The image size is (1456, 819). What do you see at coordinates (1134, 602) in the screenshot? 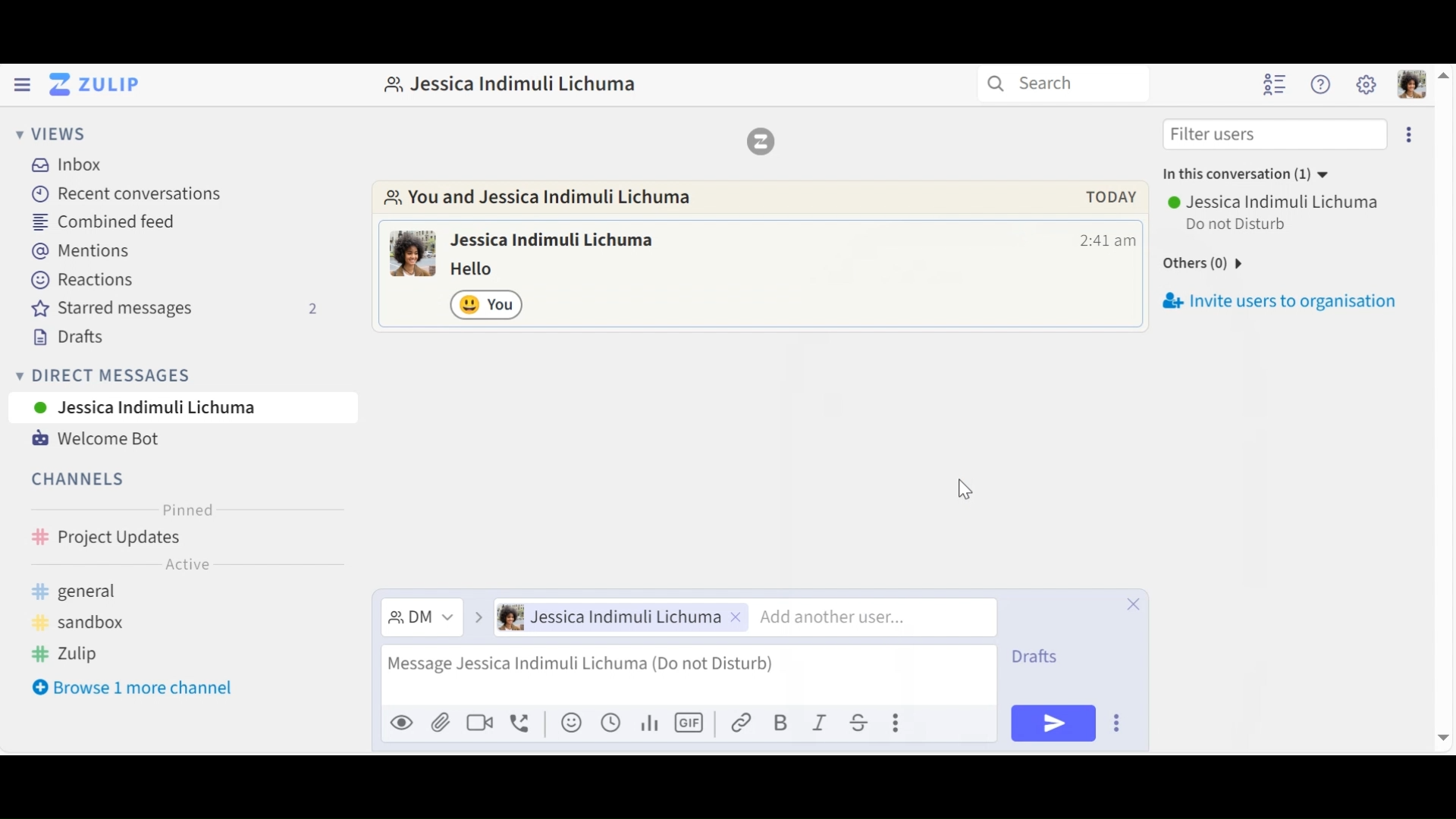
I see `Close` at bounding box center [1134, 602].